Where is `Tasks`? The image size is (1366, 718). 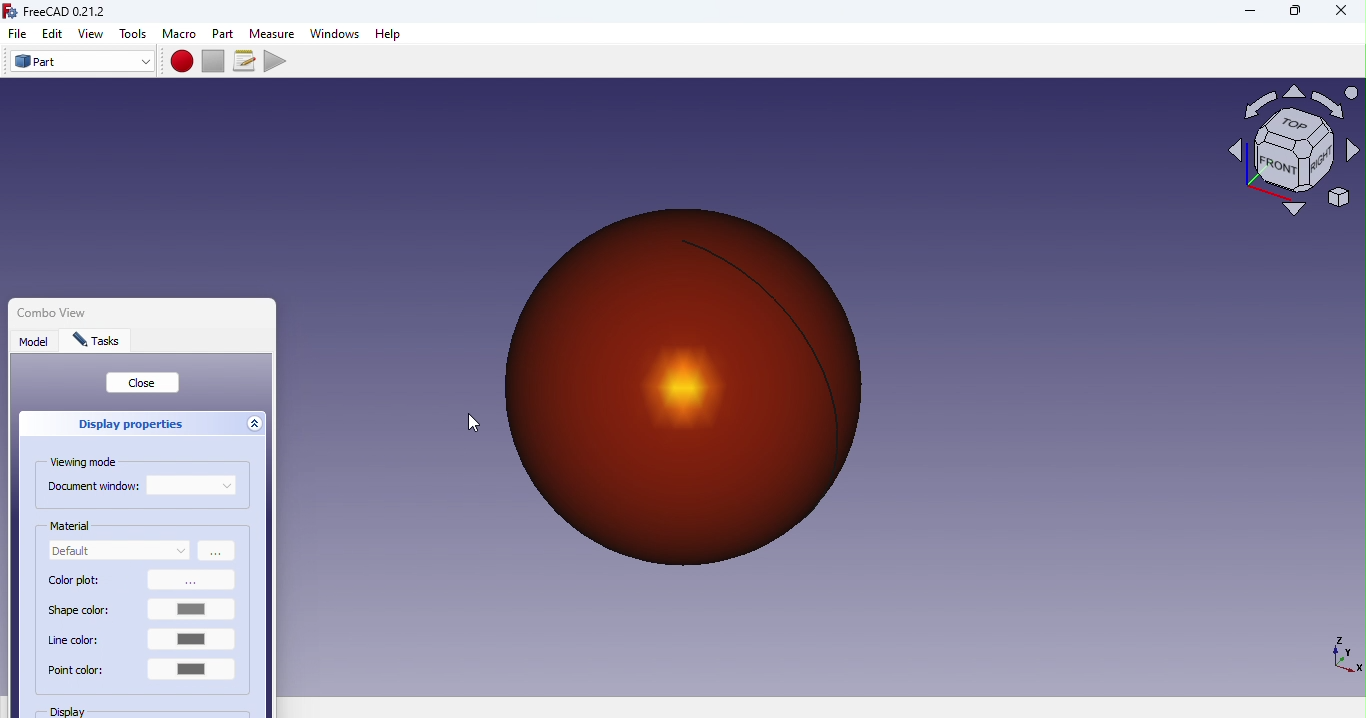 Tasks is located at coordinates (101, 342).